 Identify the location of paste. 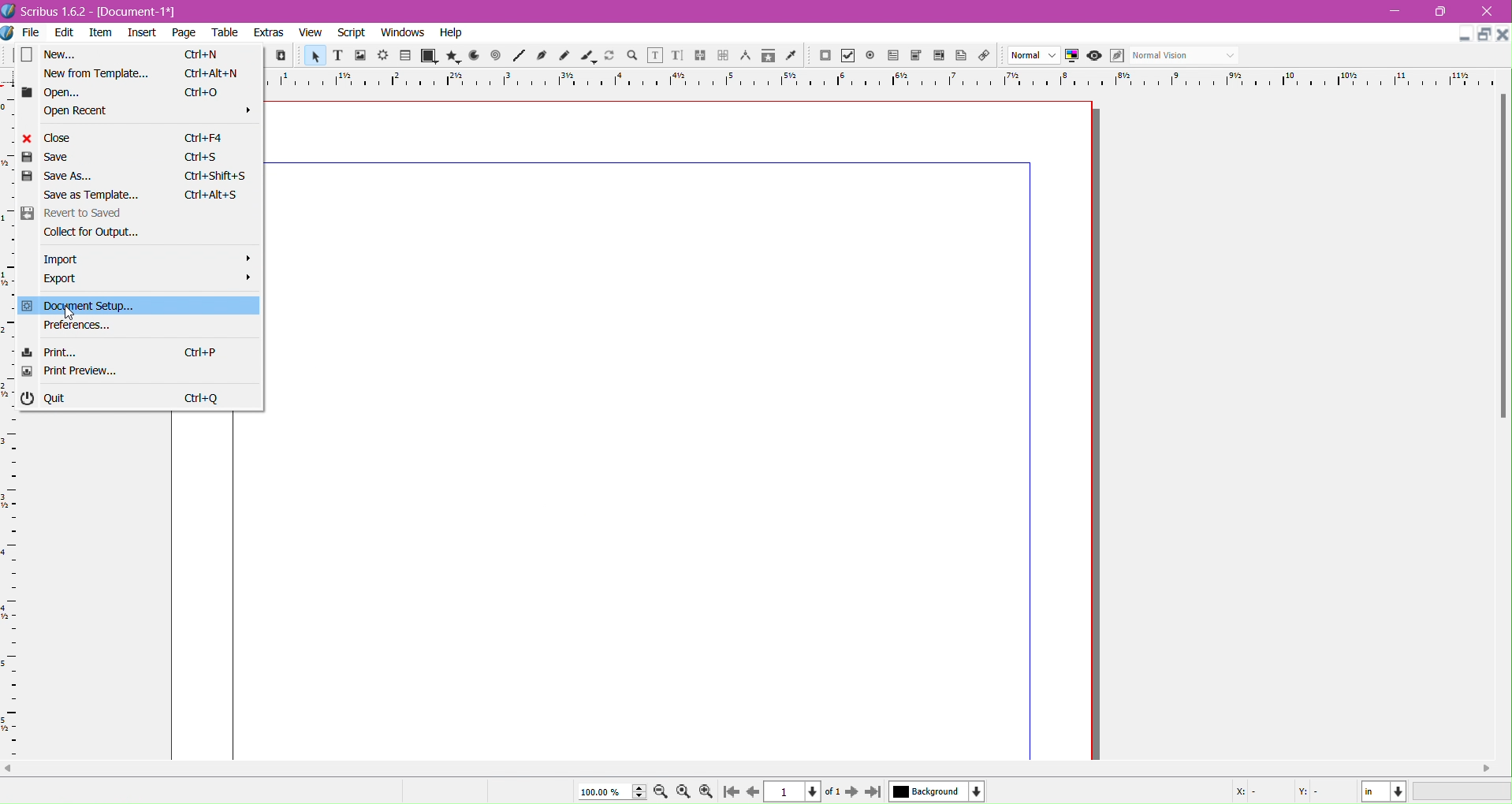
(280, 56).